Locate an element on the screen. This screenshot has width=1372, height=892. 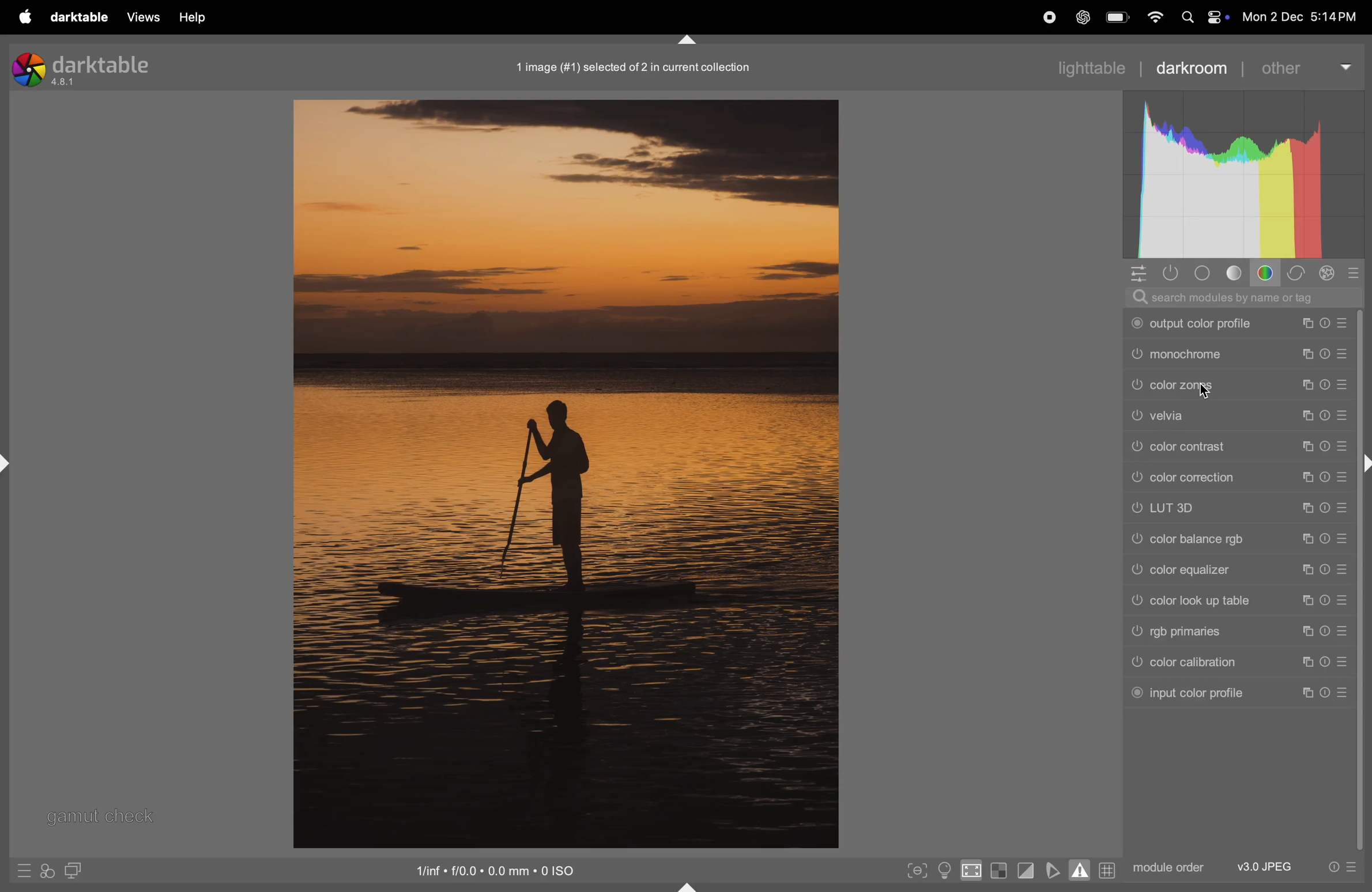
wifi is located at coordinates (1156, 17).